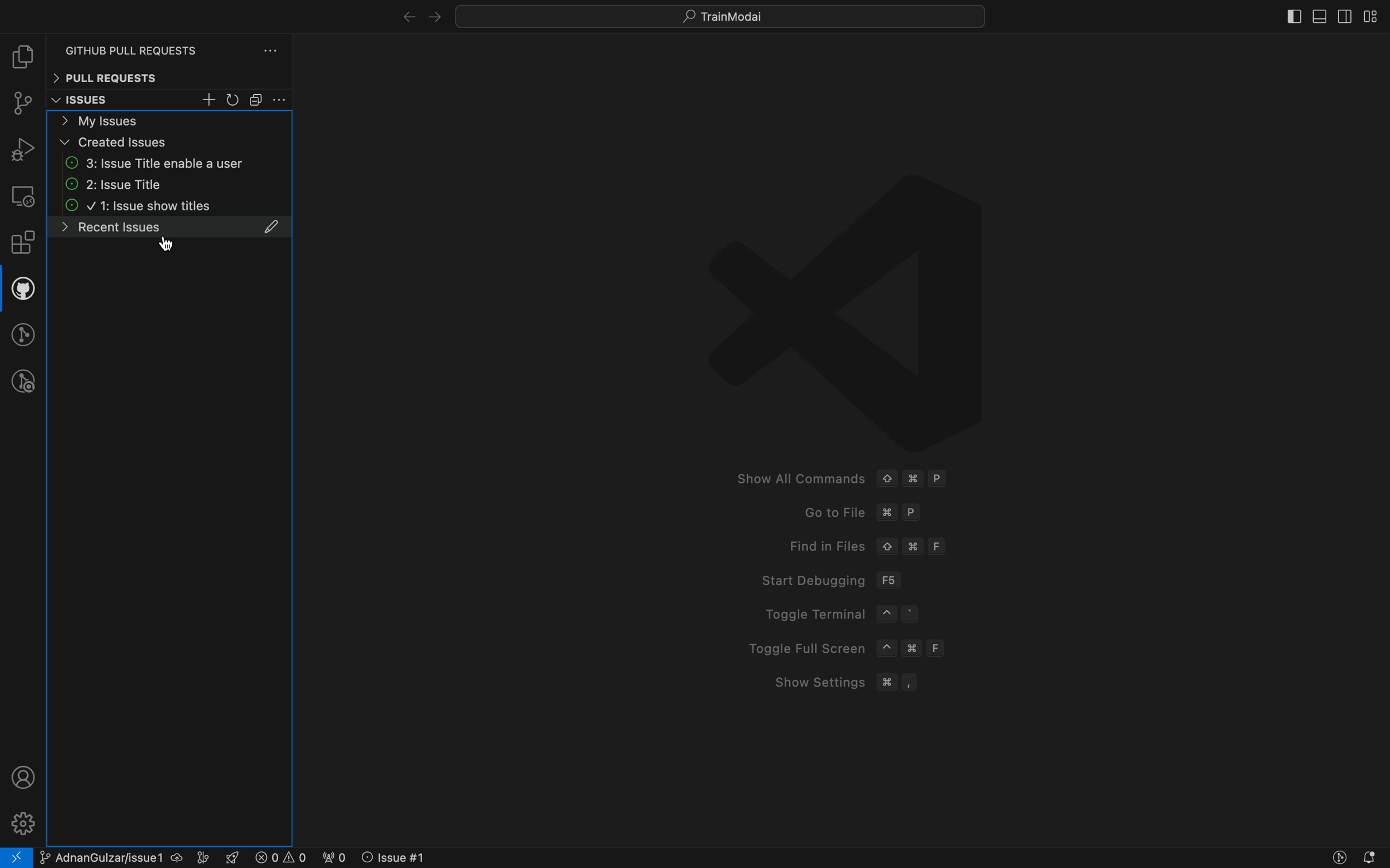  Describe the element at coordinates (281, 100) in the screenshot. I see `settings` at that location.